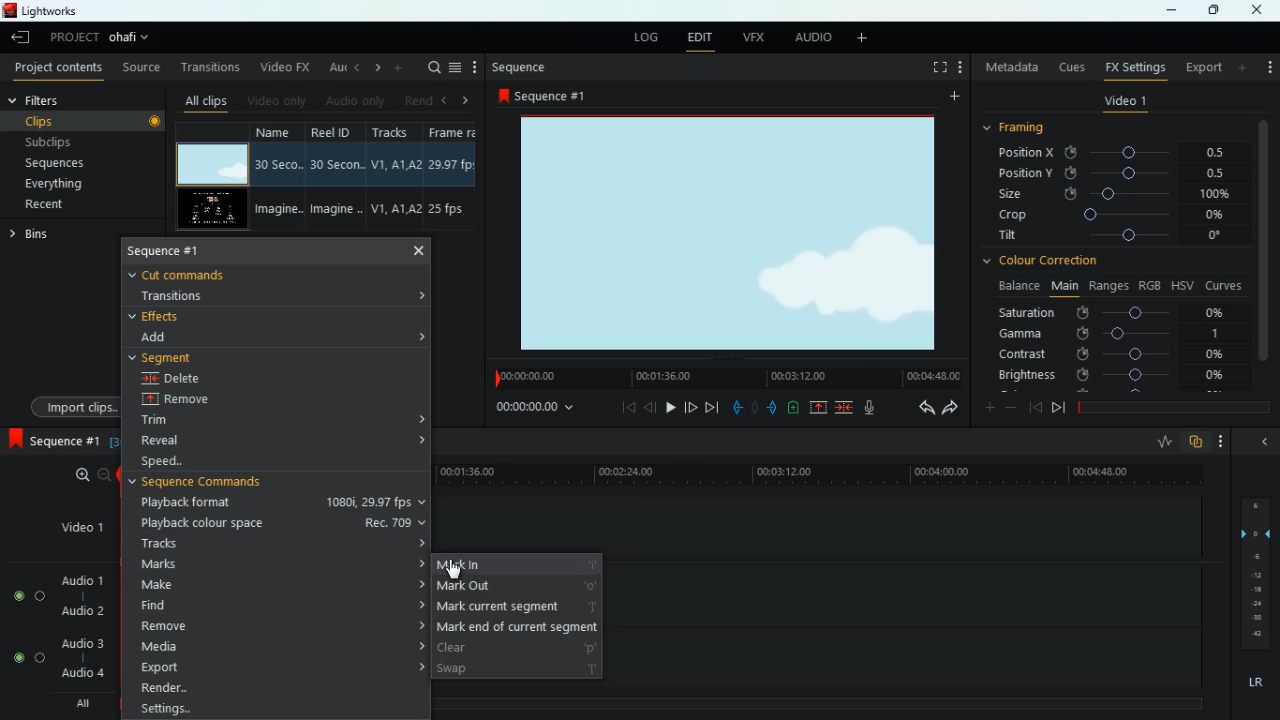 This screenshot has height=720, width=1280. What do you see at coordinates (1172, 10) in the screenshot?
I see `minimize` at bounding box center [1172, 10].